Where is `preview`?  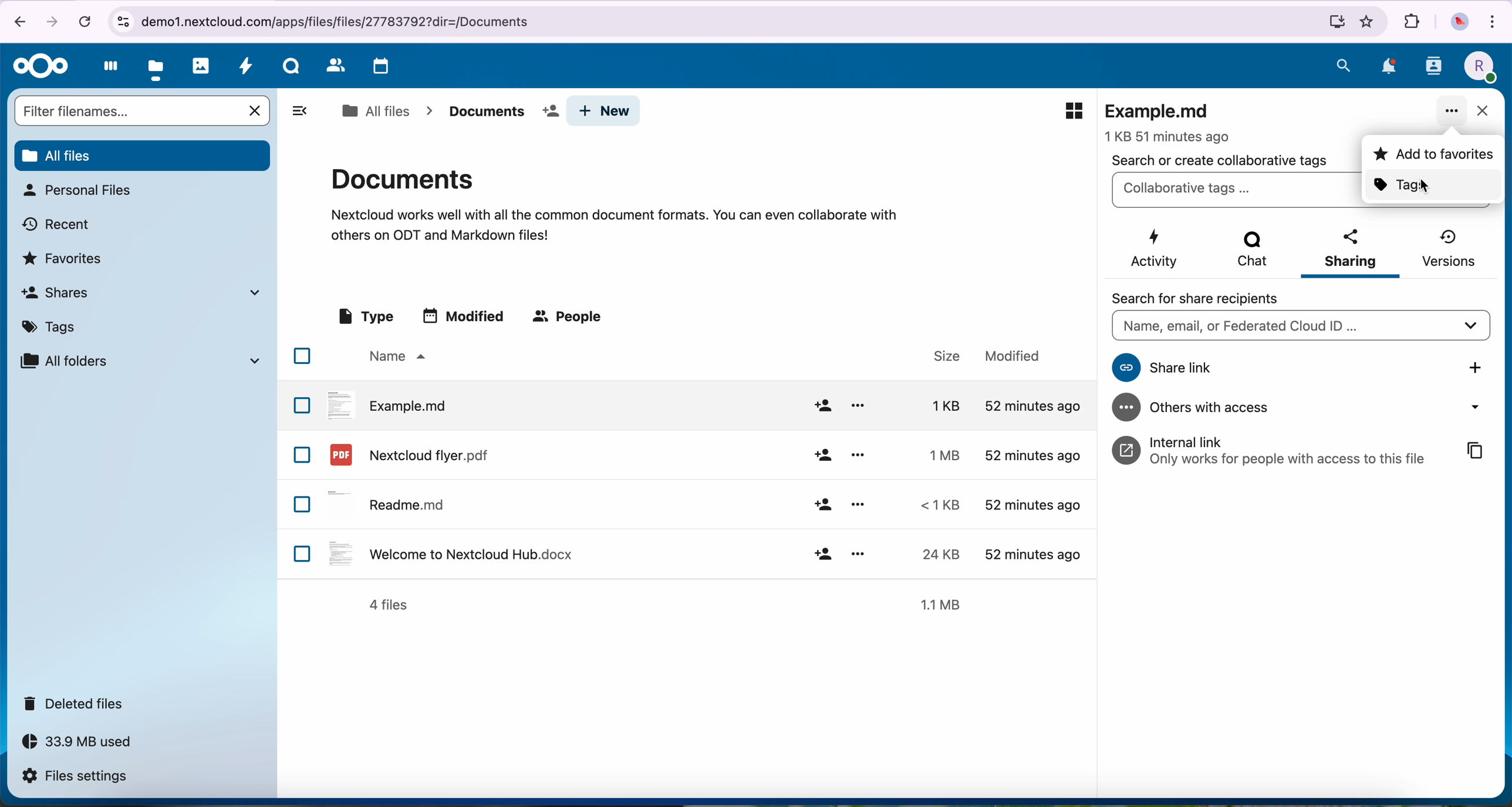
preview is located at coordinates (1074, 111).